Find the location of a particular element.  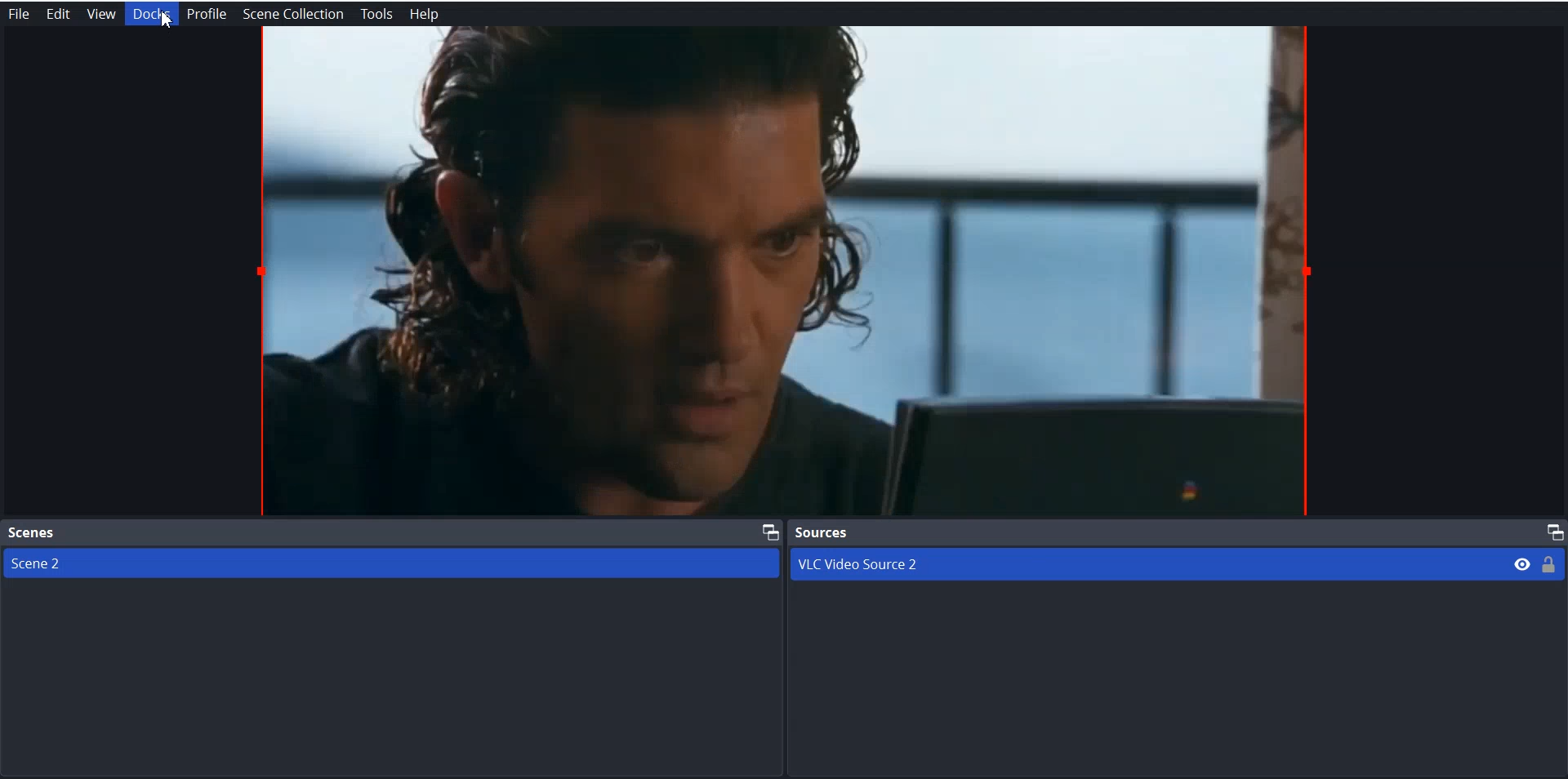

Lock/ Unlock is located at coordinates (1549, 563).